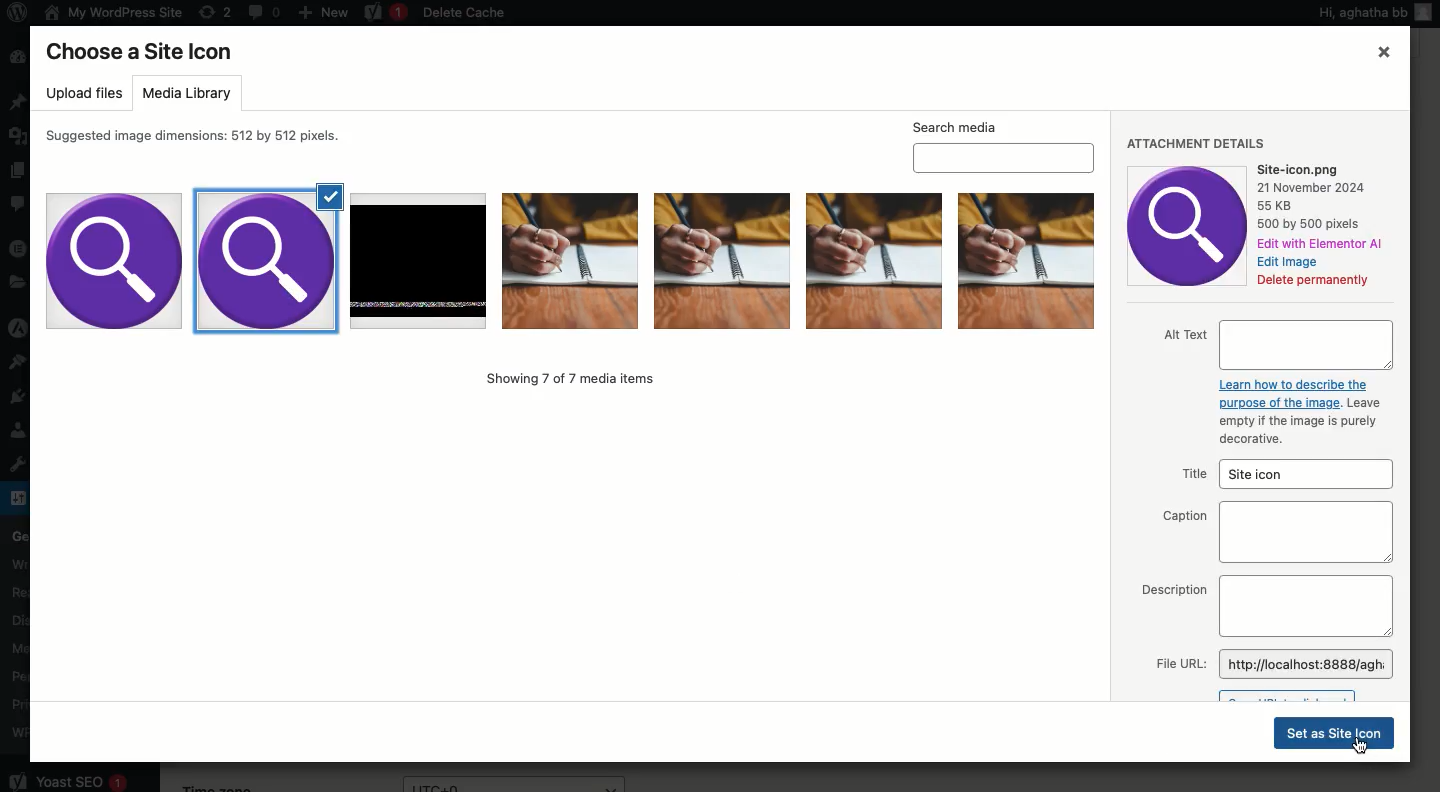 This screenshot has height=792, width=1440. Describe the element at coordinates (16, 618) in the screenshot. I see `Discussion` at that location.